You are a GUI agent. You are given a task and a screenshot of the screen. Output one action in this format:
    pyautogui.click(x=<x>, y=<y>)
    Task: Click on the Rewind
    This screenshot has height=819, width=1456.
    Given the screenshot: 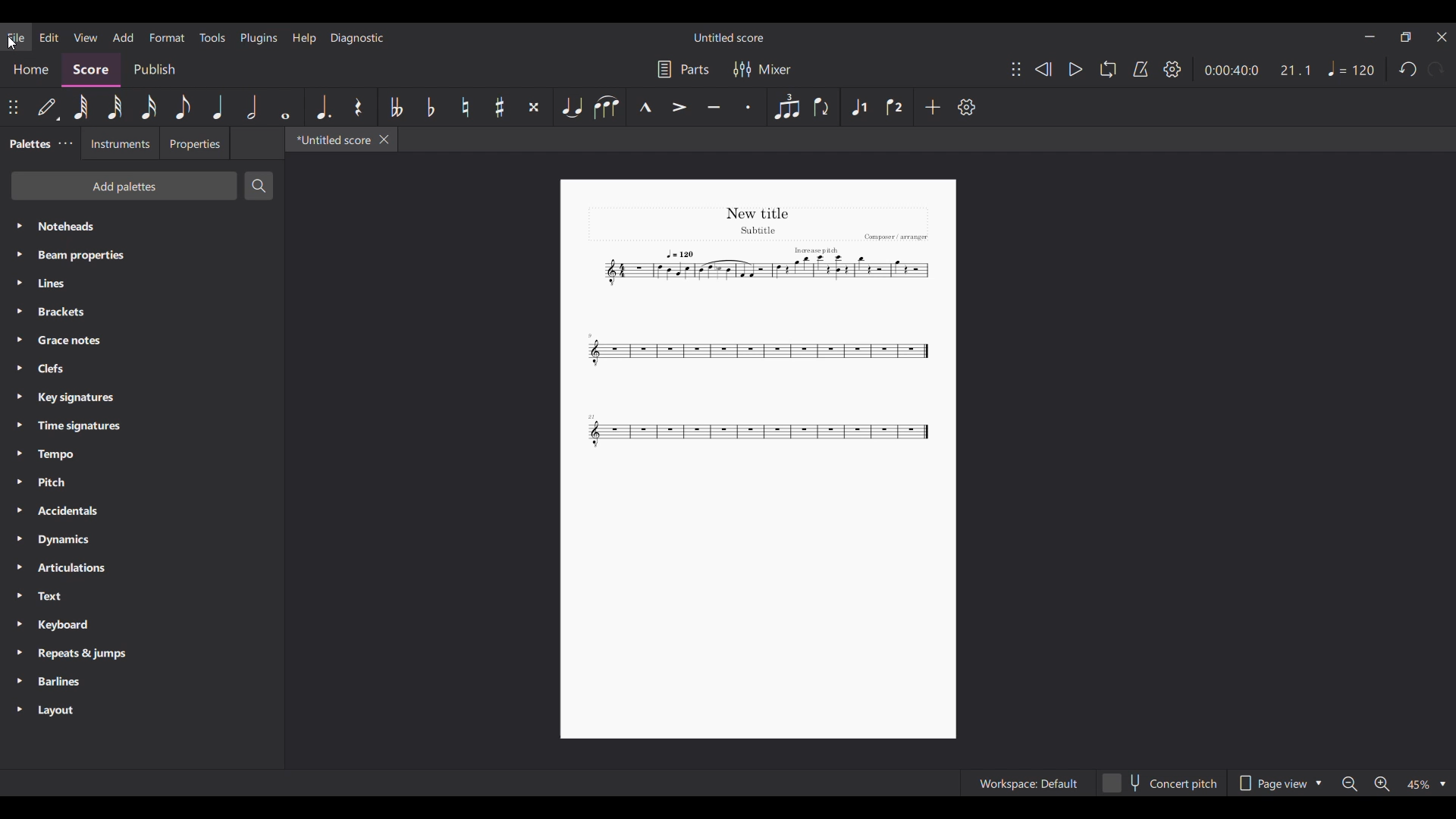 What is the action you would take?
    pyautogui.click(x=1043, y=69)
    